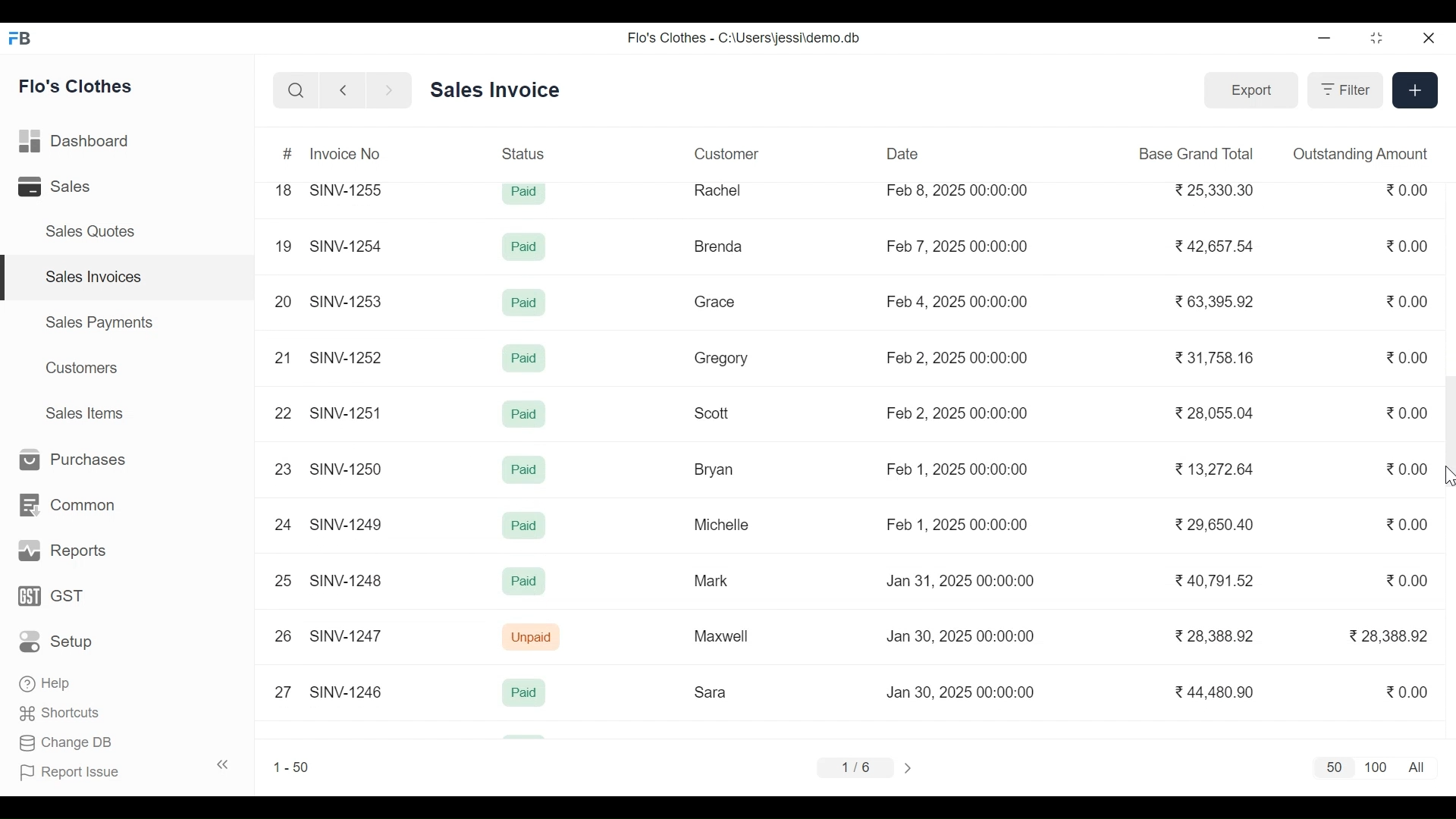  I want to click on Close, so click(1426, 39).